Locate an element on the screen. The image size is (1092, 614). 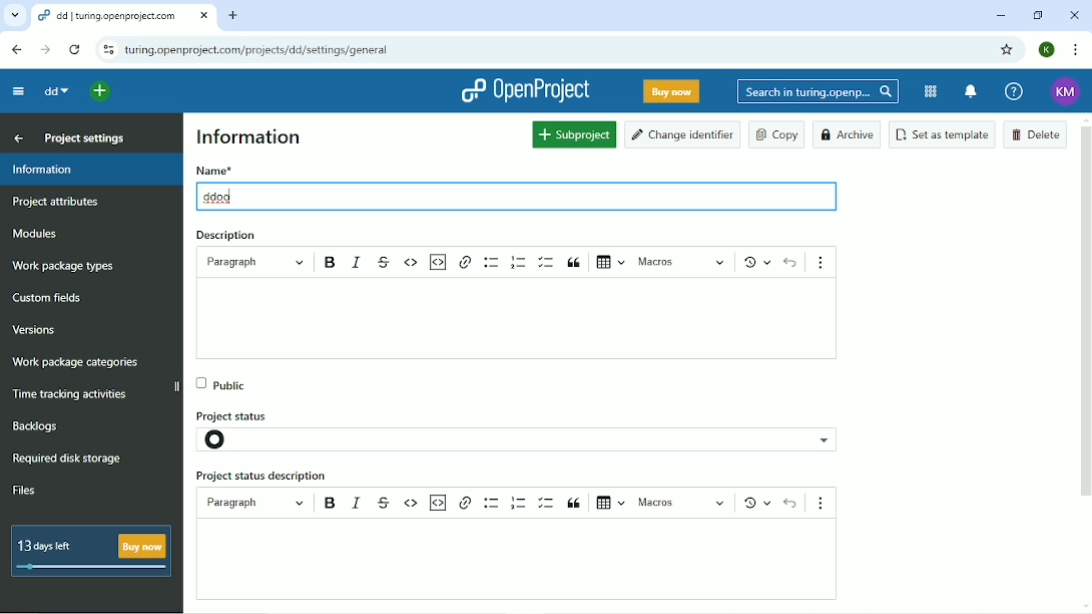
Reload this page is located at coordinates (75, 50).